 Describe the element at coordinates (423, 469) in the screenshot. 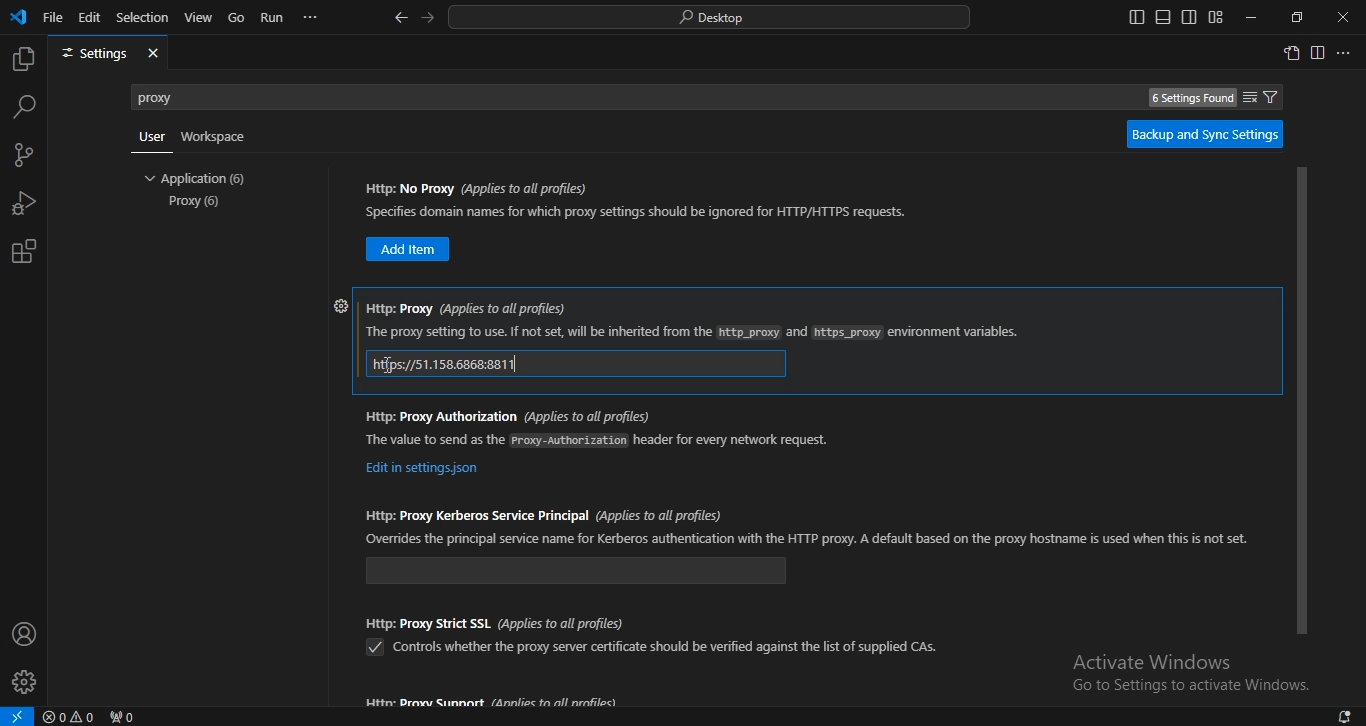

I see `https: proxy authorization` at that location.